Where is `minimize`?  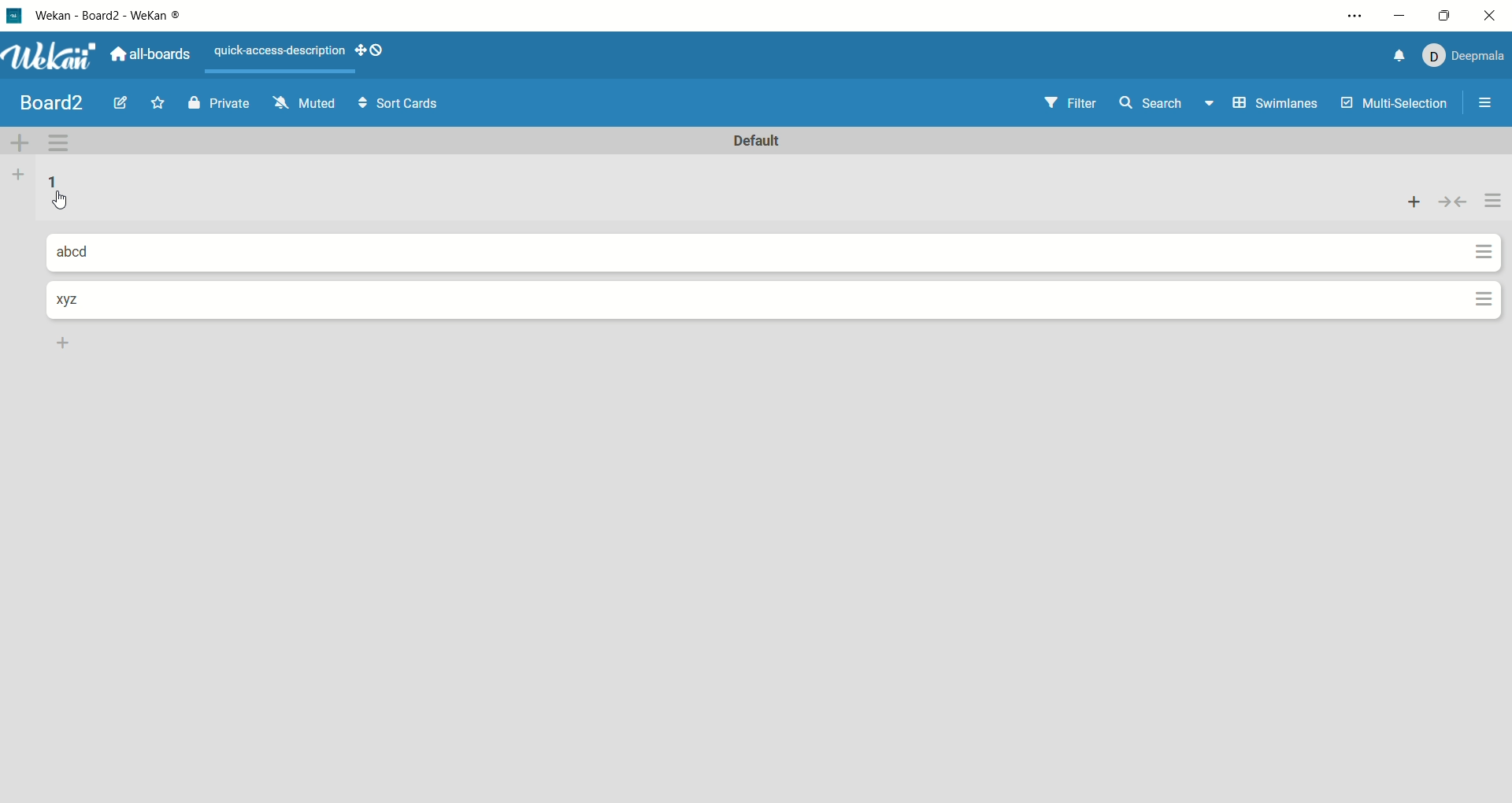 minimize is located at coordinates (1401, 13).